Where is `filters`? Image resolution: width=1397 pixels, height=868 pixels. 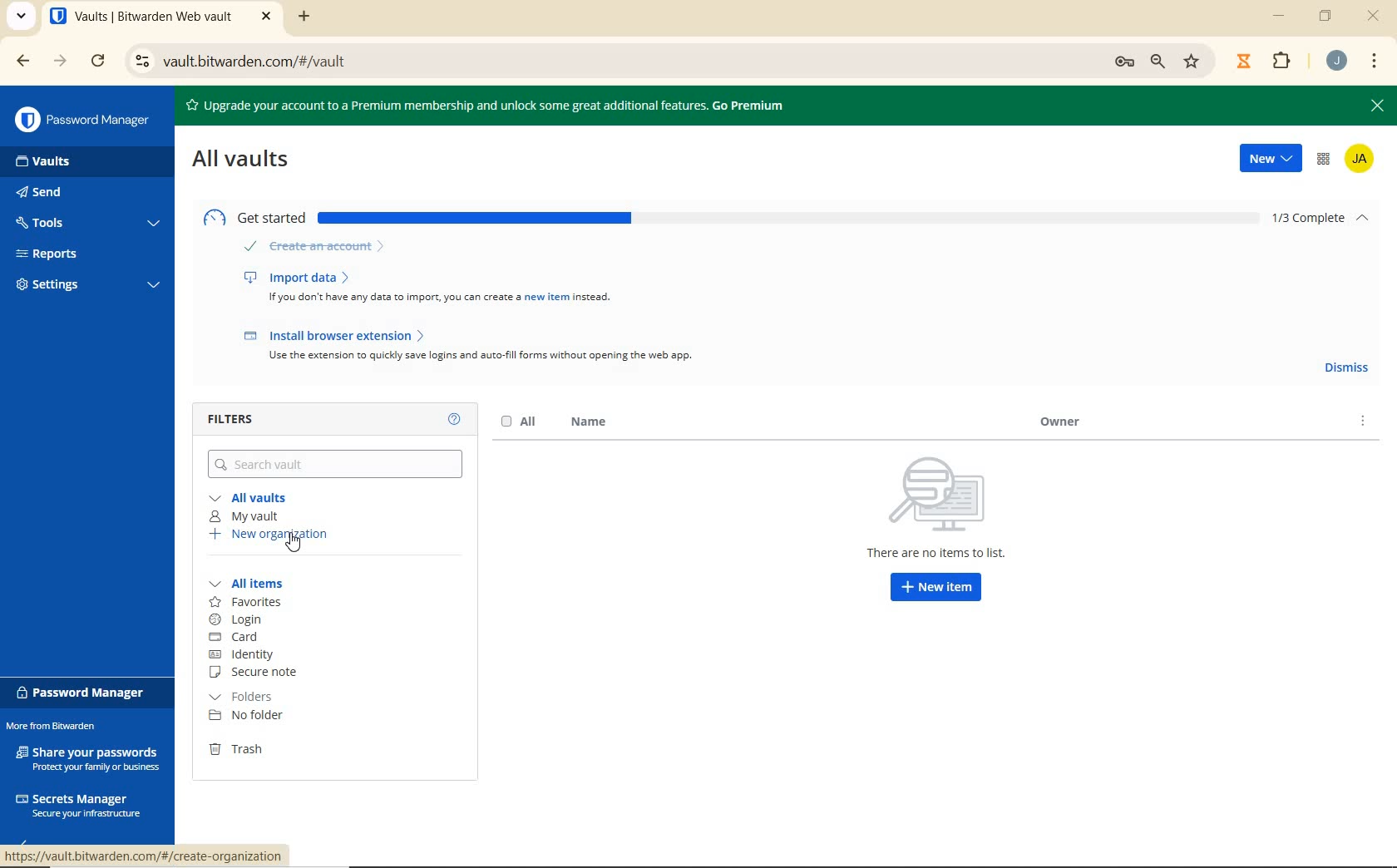
filters is located at coordinates (242, 418).